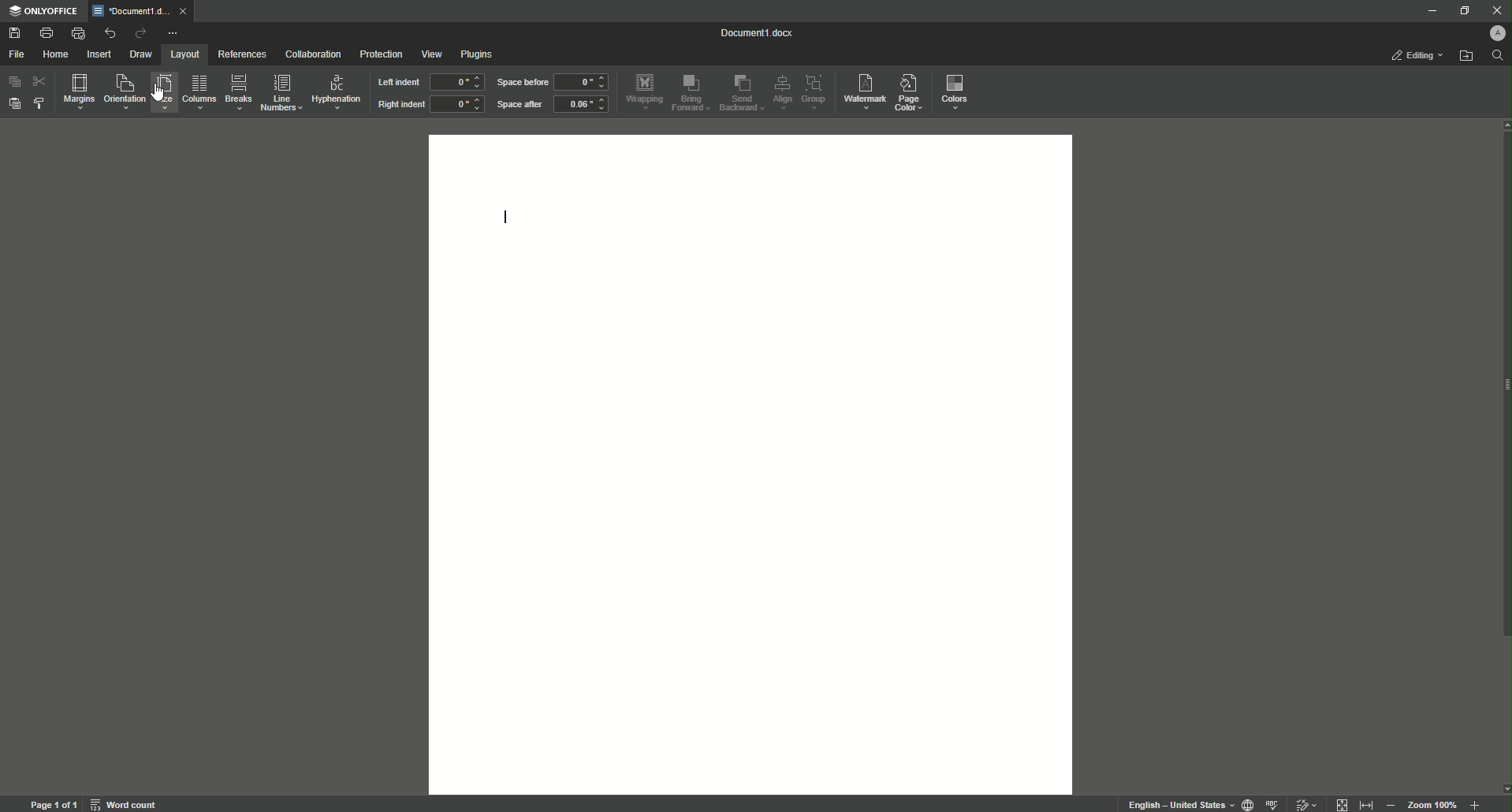  Describe the element at coordinates (430, 54) in the screenshot. I see `View` at that location.